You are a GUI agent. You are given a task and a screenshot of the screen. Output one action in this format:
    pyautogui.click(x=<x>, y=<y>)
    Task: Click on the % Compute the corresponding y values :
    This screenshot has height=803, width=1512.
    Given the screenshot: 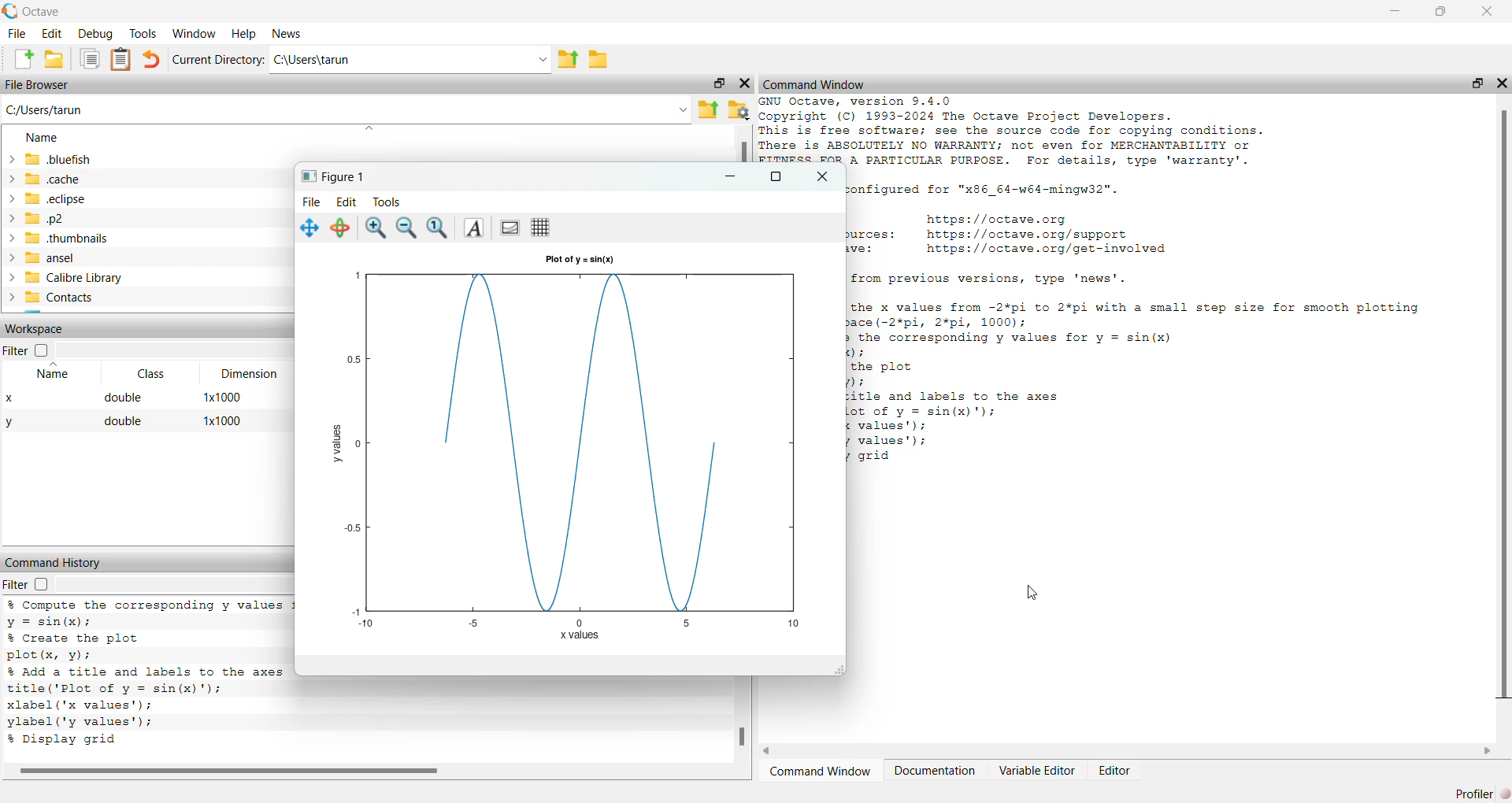 What is the action you would take?
    pyautogui.click(x=147, y=605)
    